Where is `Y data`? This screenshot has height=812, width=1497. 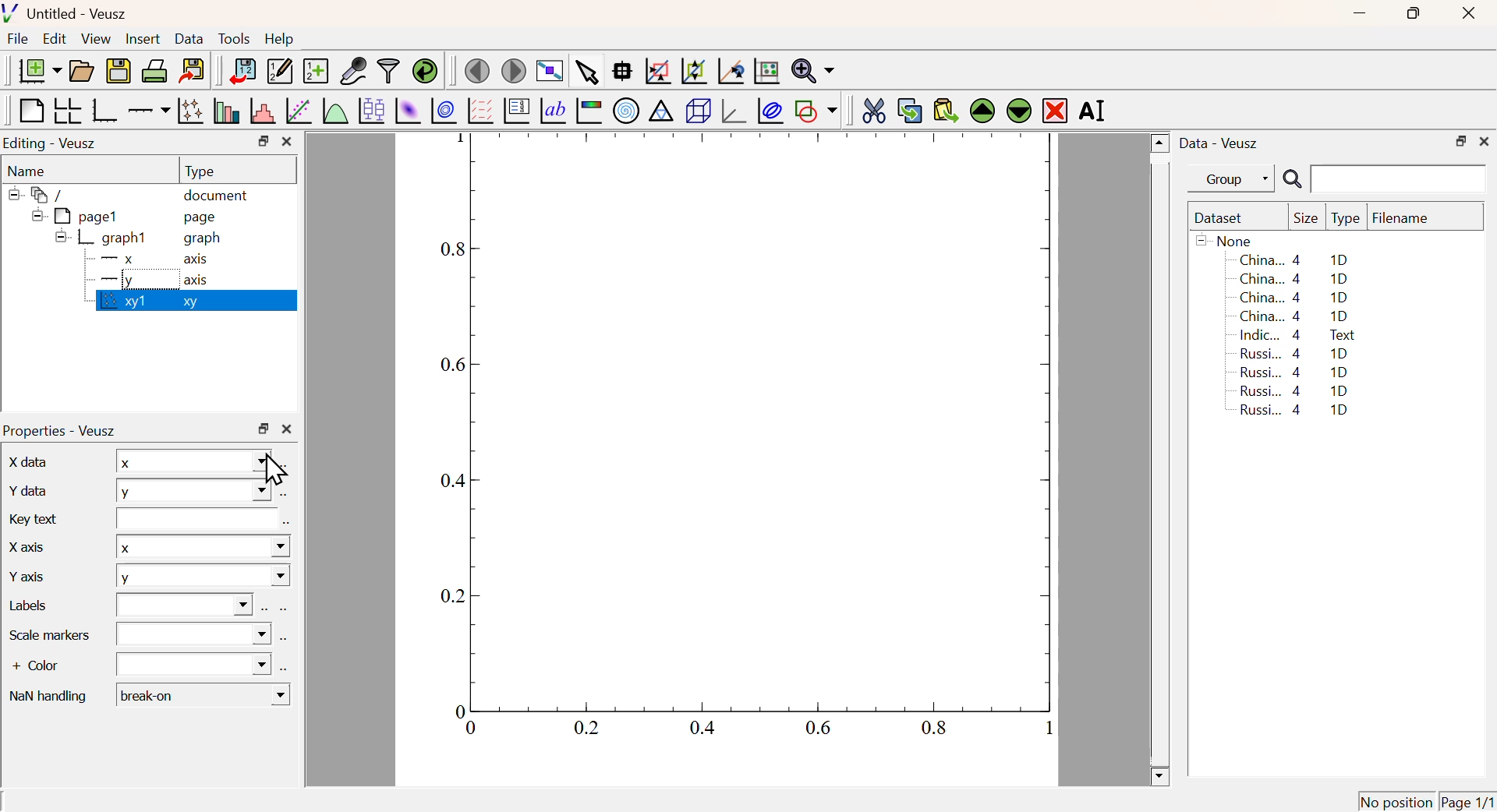 Y data is located at coordinates (26, 489).